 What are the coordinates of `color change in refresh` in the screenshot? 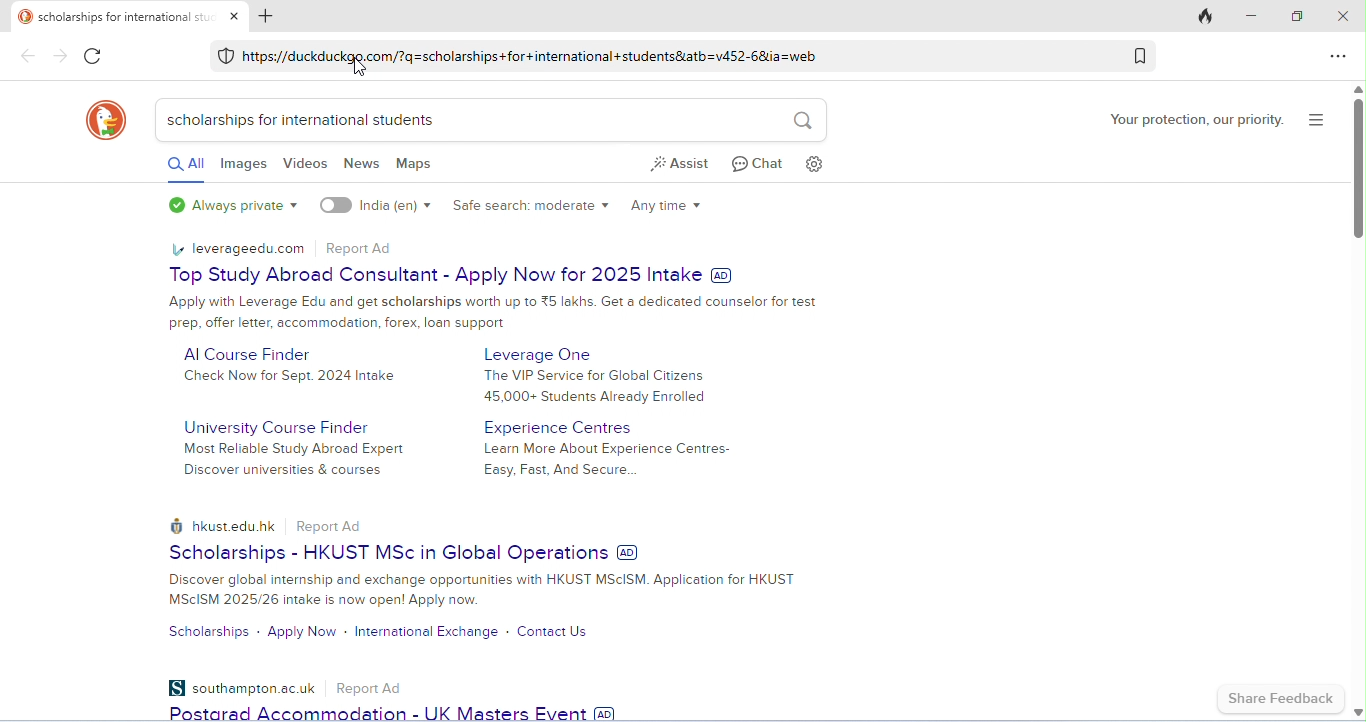 It's located at (92, 56).